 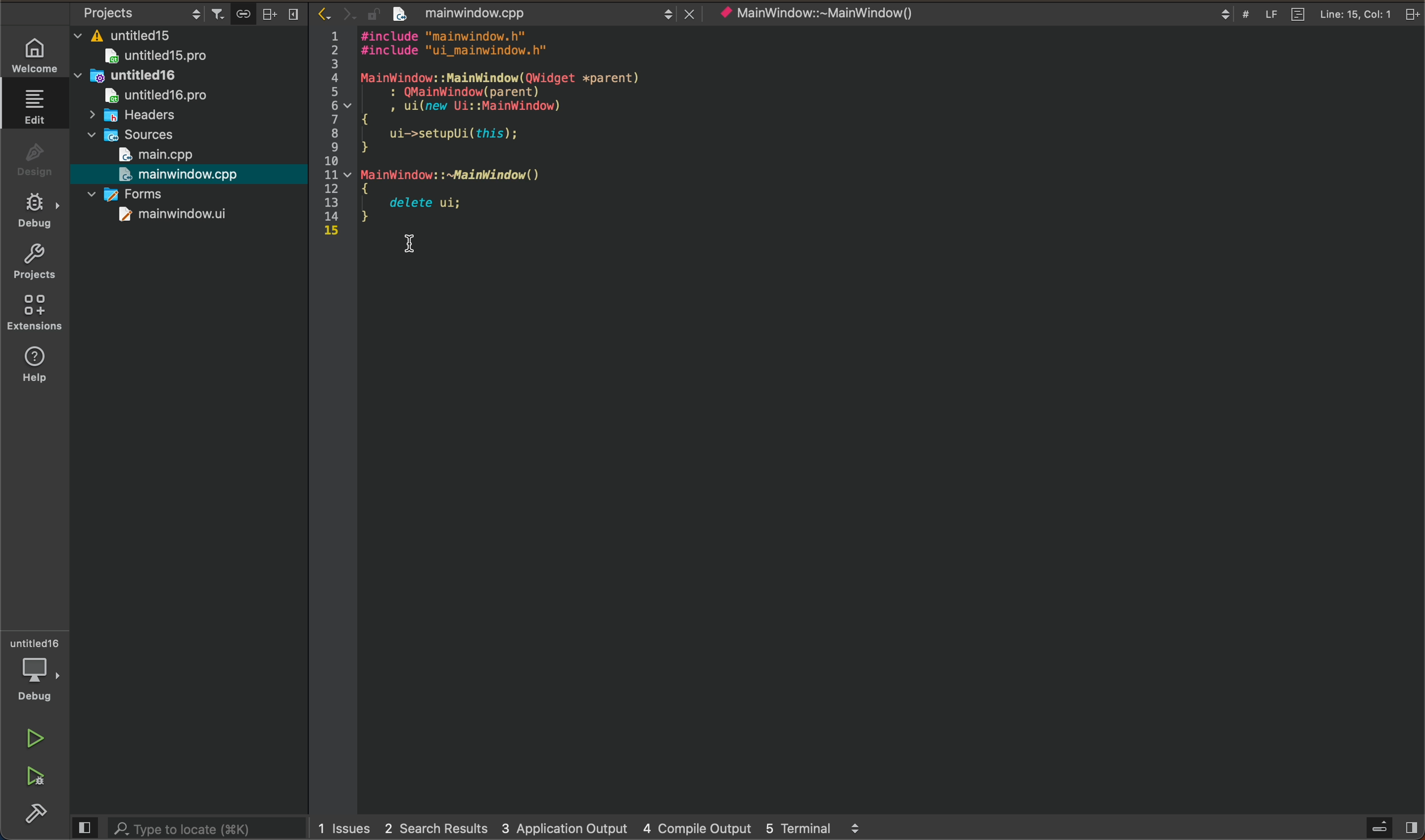 What do you see at coordinates (1414, 14) in the screenshot?
I see `split tab` at bounding box center [1414, 14].